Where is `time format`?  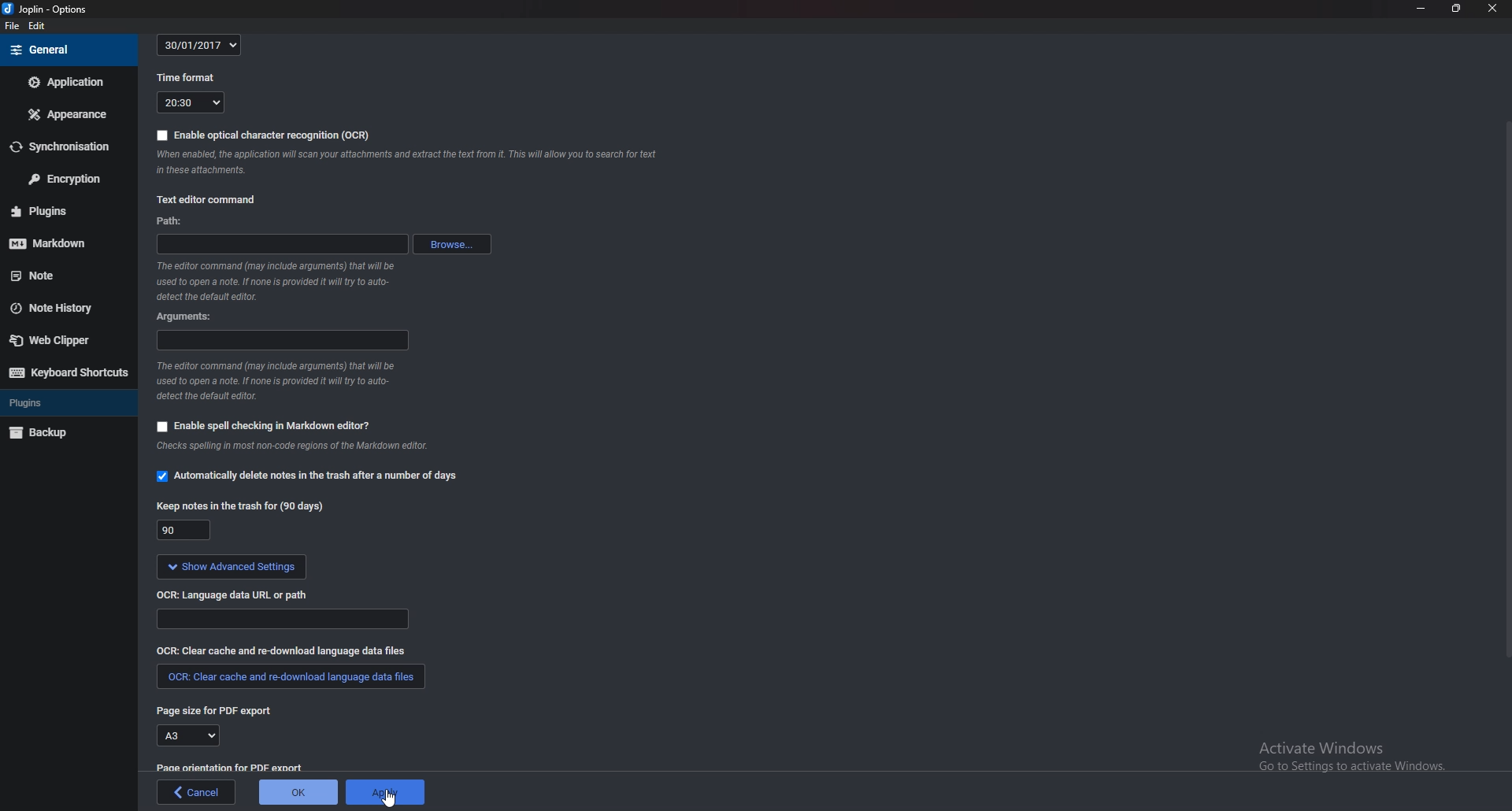
time format is located at coordinates (186, 80).